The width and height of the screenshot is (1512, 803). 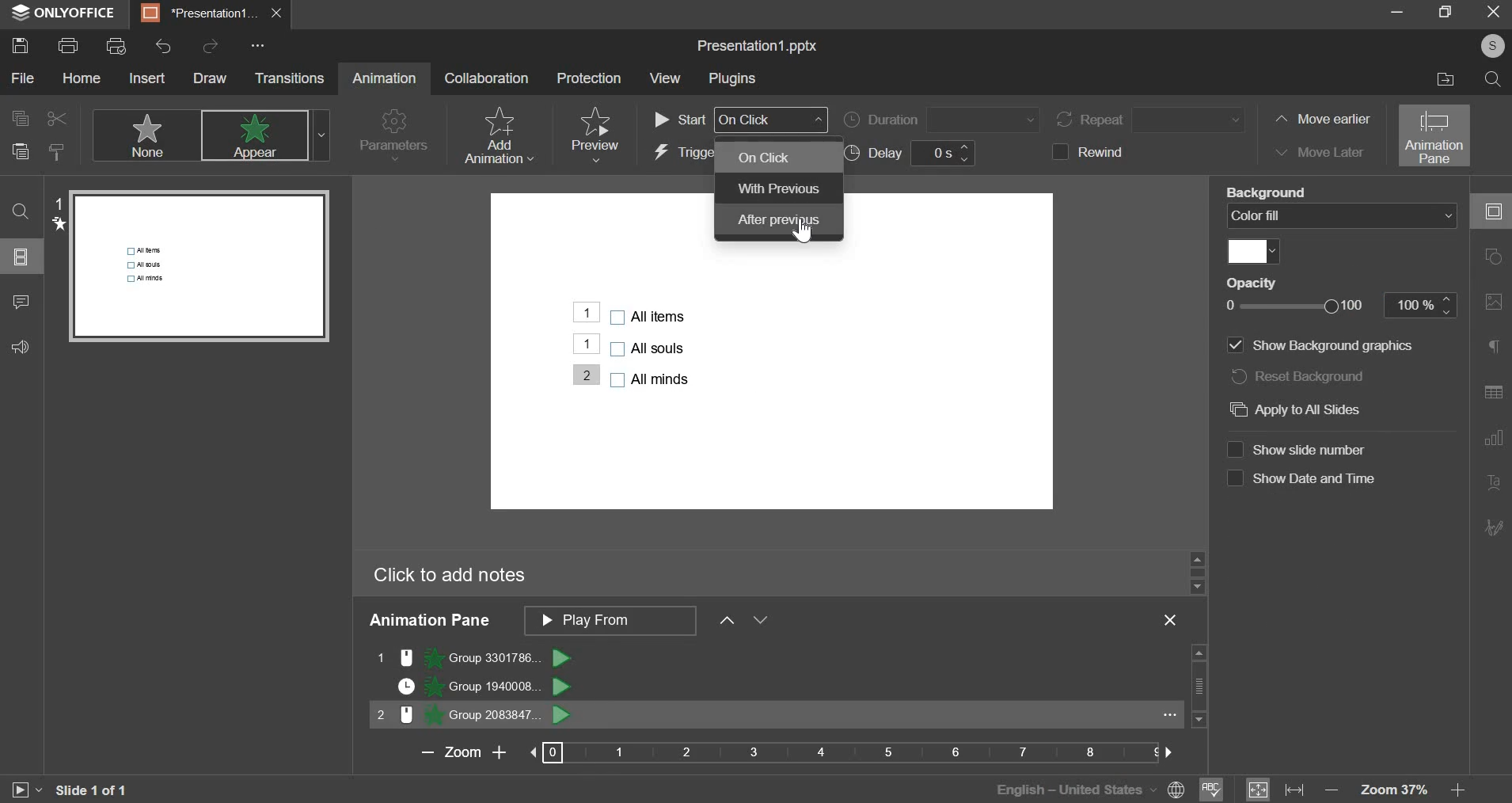 I want to click on on click, so click(x=780, y=157).